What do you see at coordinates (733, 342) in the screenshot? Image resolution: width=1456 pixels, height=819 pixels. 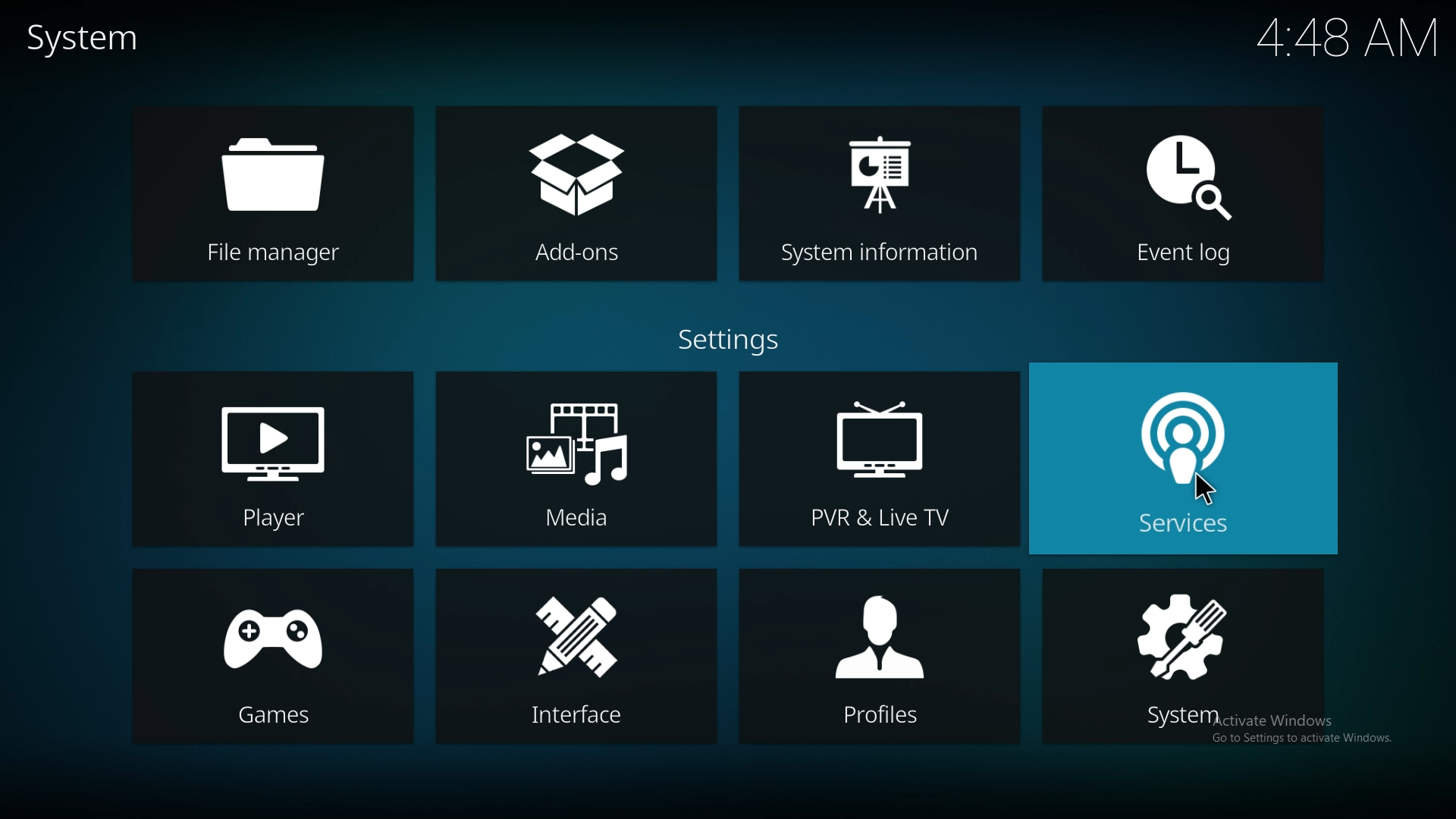 I see `settings` at bounding box center [733, 342].